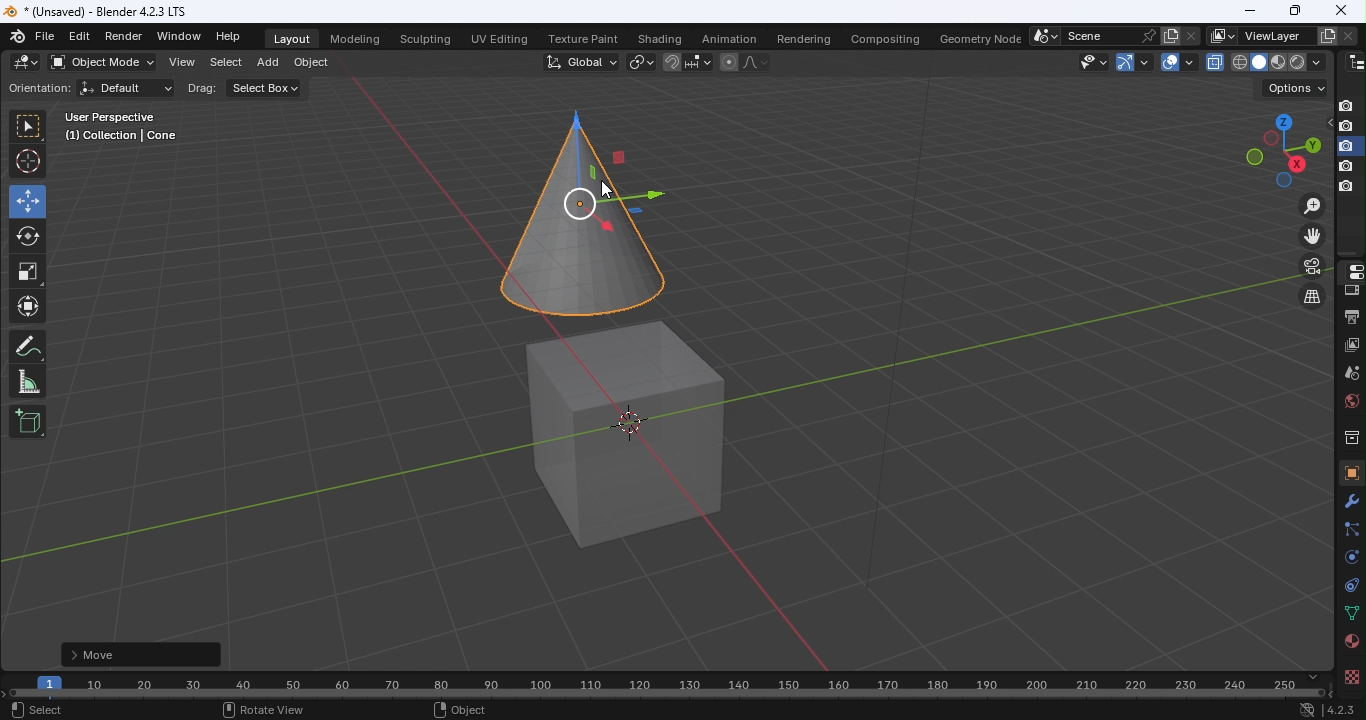  Describe the element at coordinates (728, 64) in the screenshot. I see `Proportional editing objects` at that location.